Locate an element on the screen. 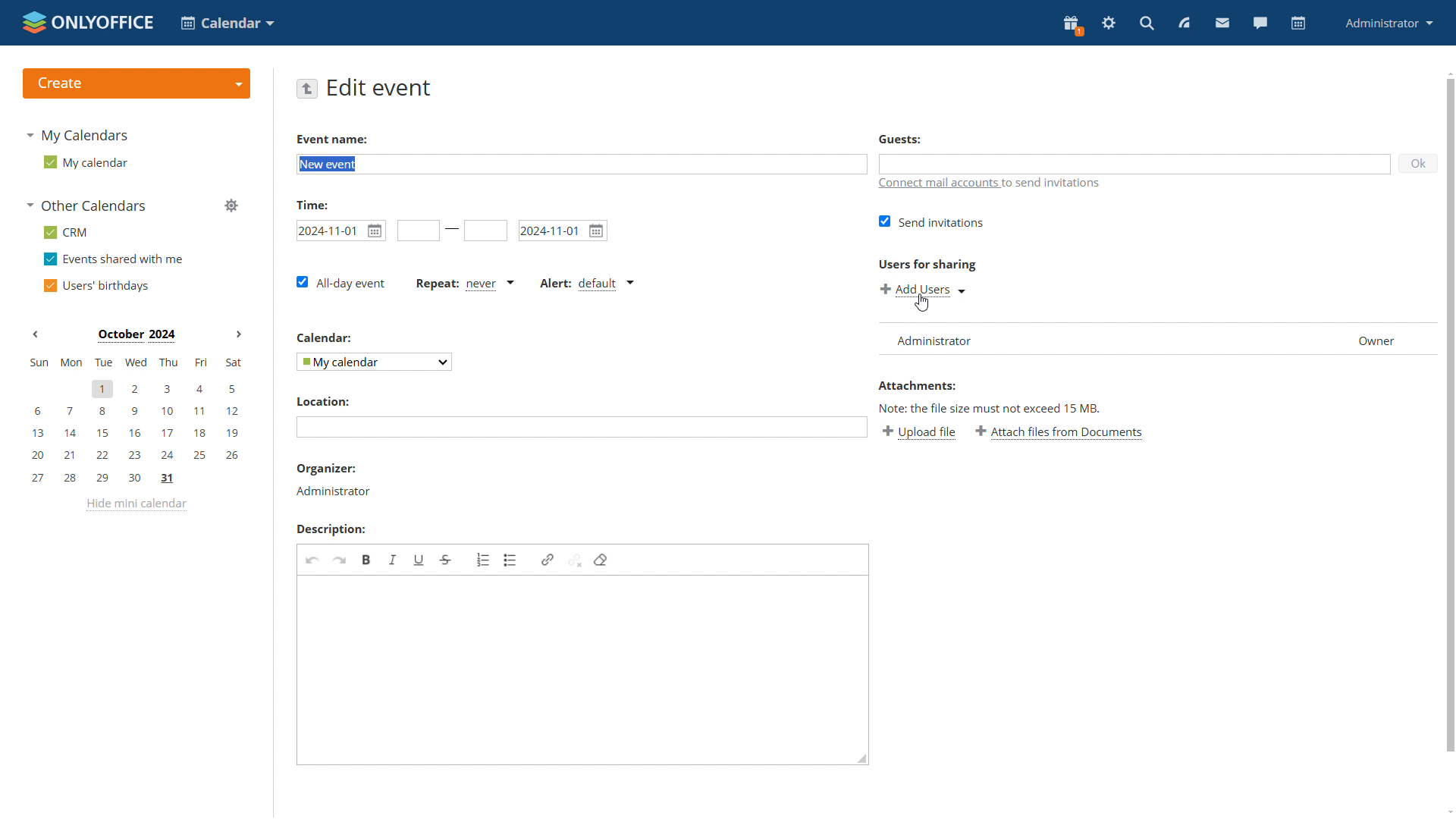 The width and height of the screenshot is (1456, 819). redo is located at coordinates (339, 560).